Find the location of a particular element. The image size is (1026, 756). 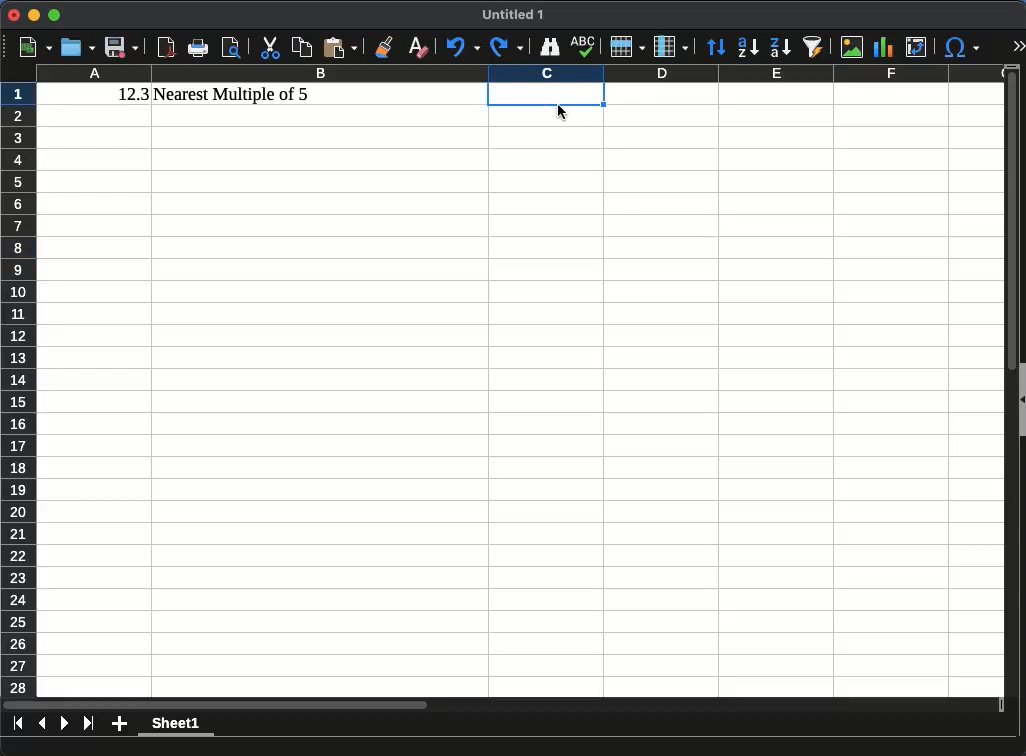

print preview is located at coordinates (233, 47).